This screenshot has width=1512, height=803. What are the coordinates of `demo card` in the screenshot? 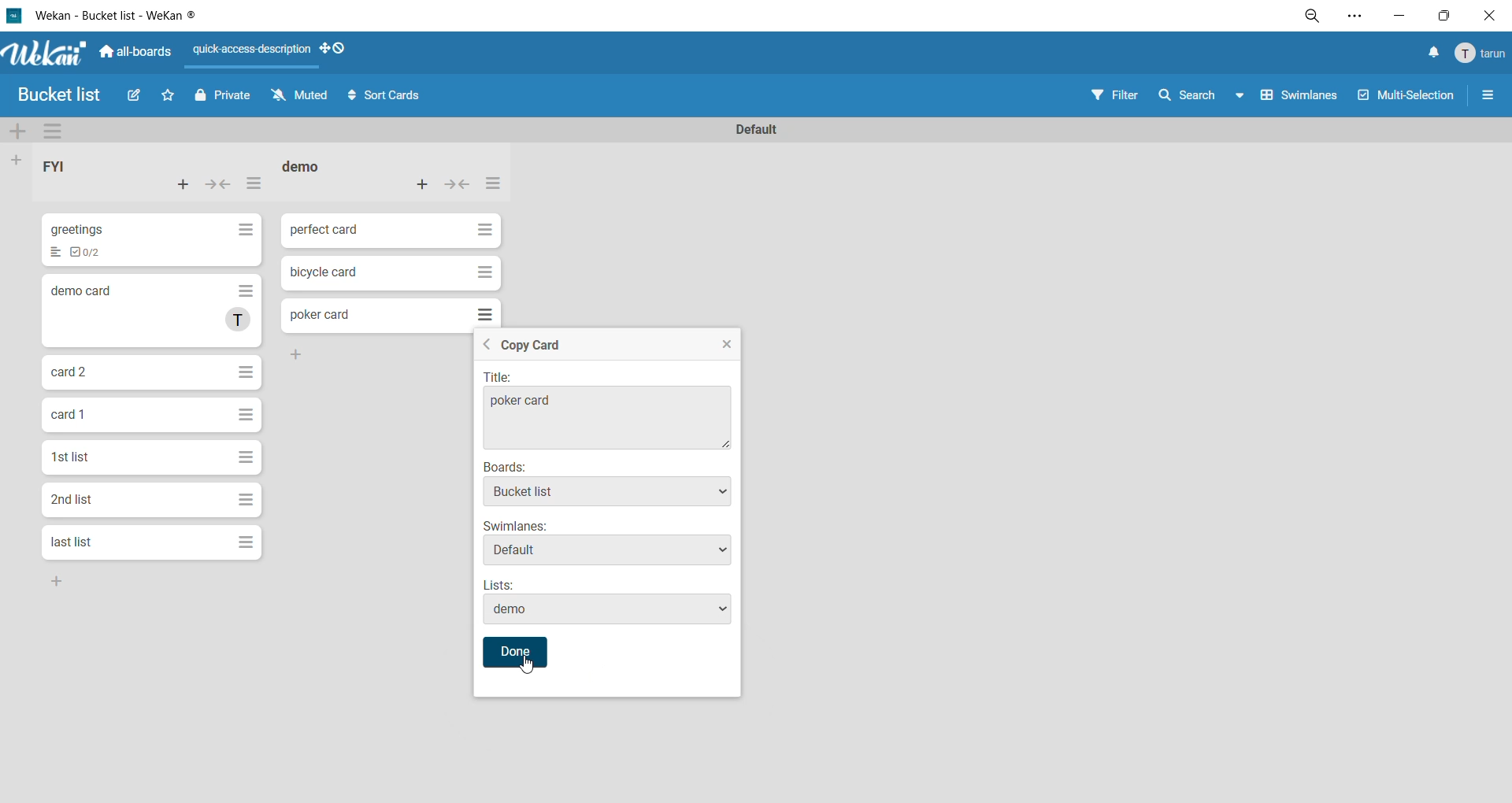 It's located at (84, 290).